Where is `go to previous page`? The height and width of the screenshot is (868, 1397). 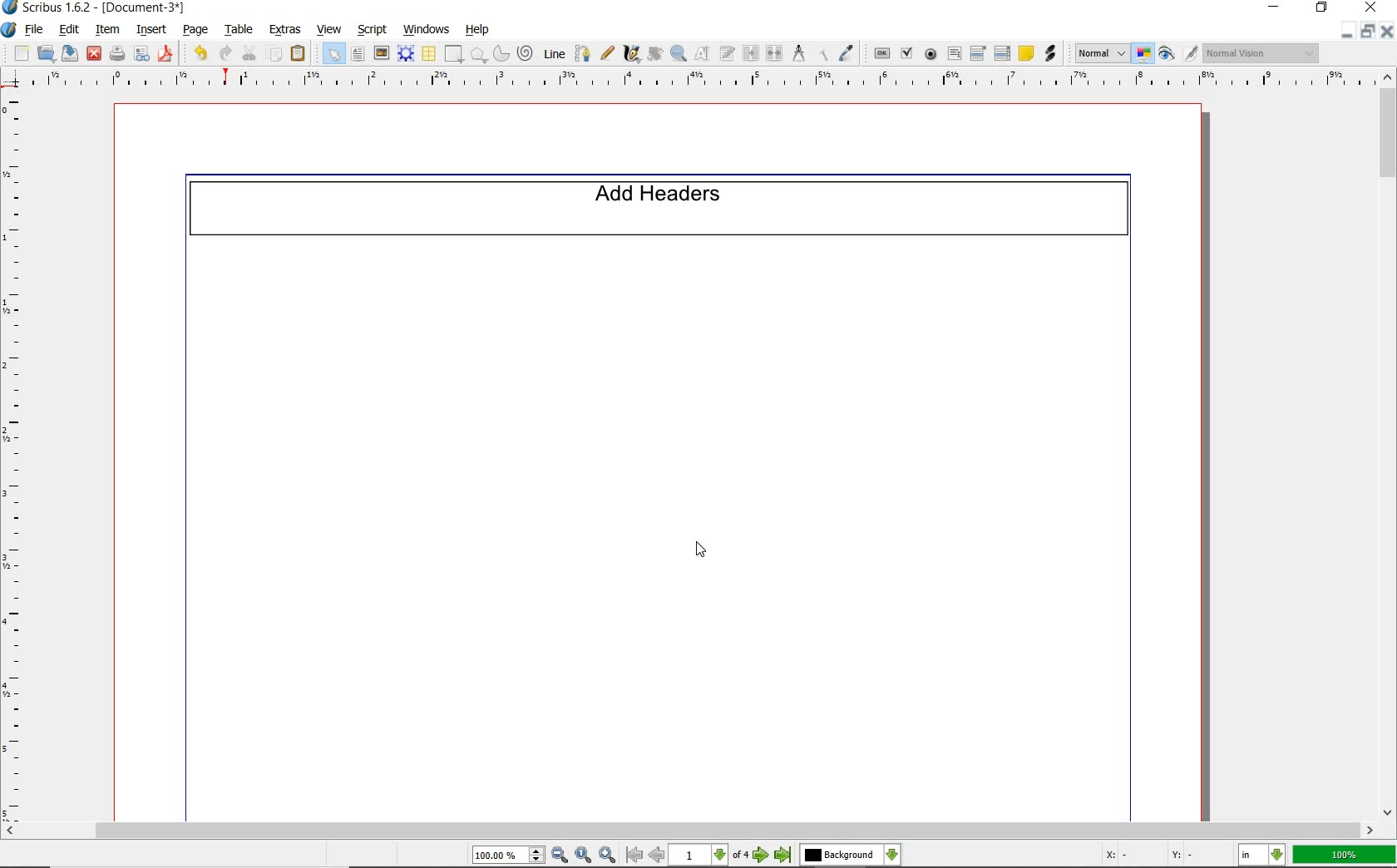 go to previous page is located at coordinates (658, 856).